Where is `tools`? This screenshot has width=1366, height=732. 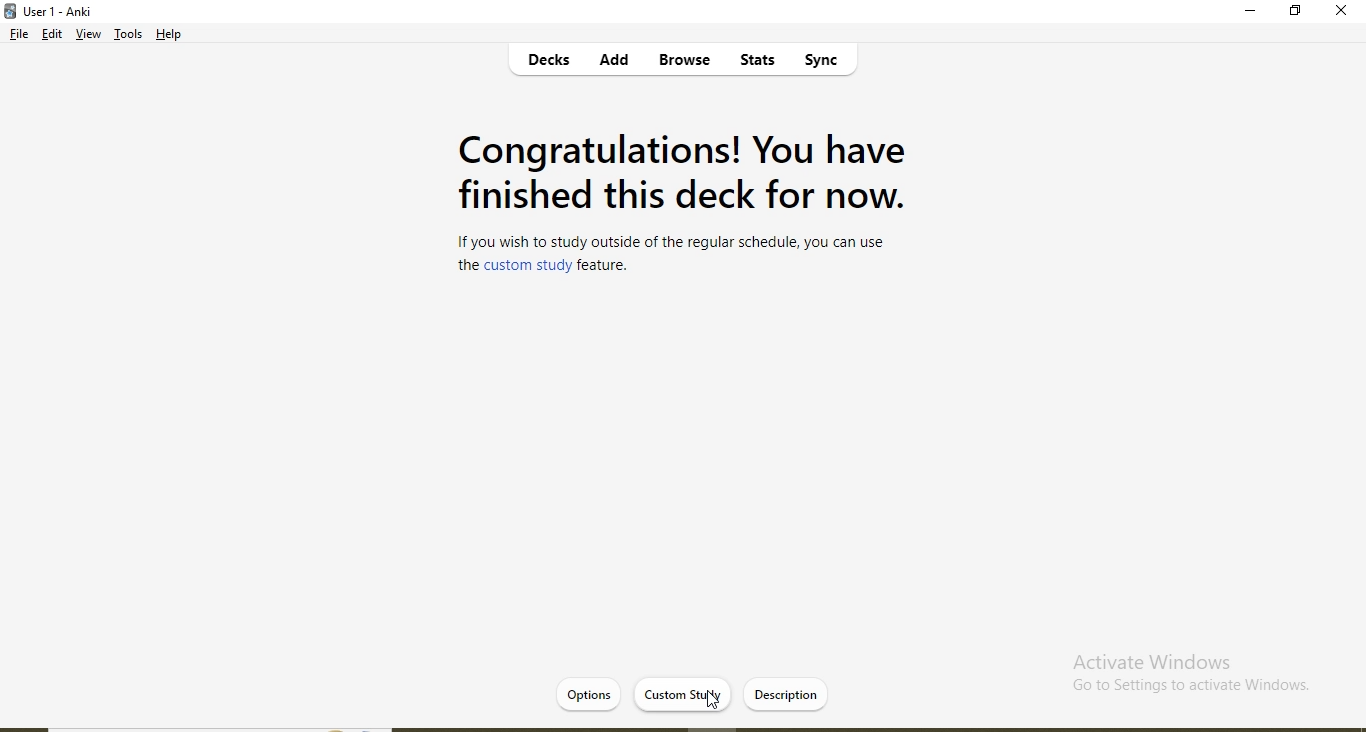
tools is located at coordinates (128, 37).